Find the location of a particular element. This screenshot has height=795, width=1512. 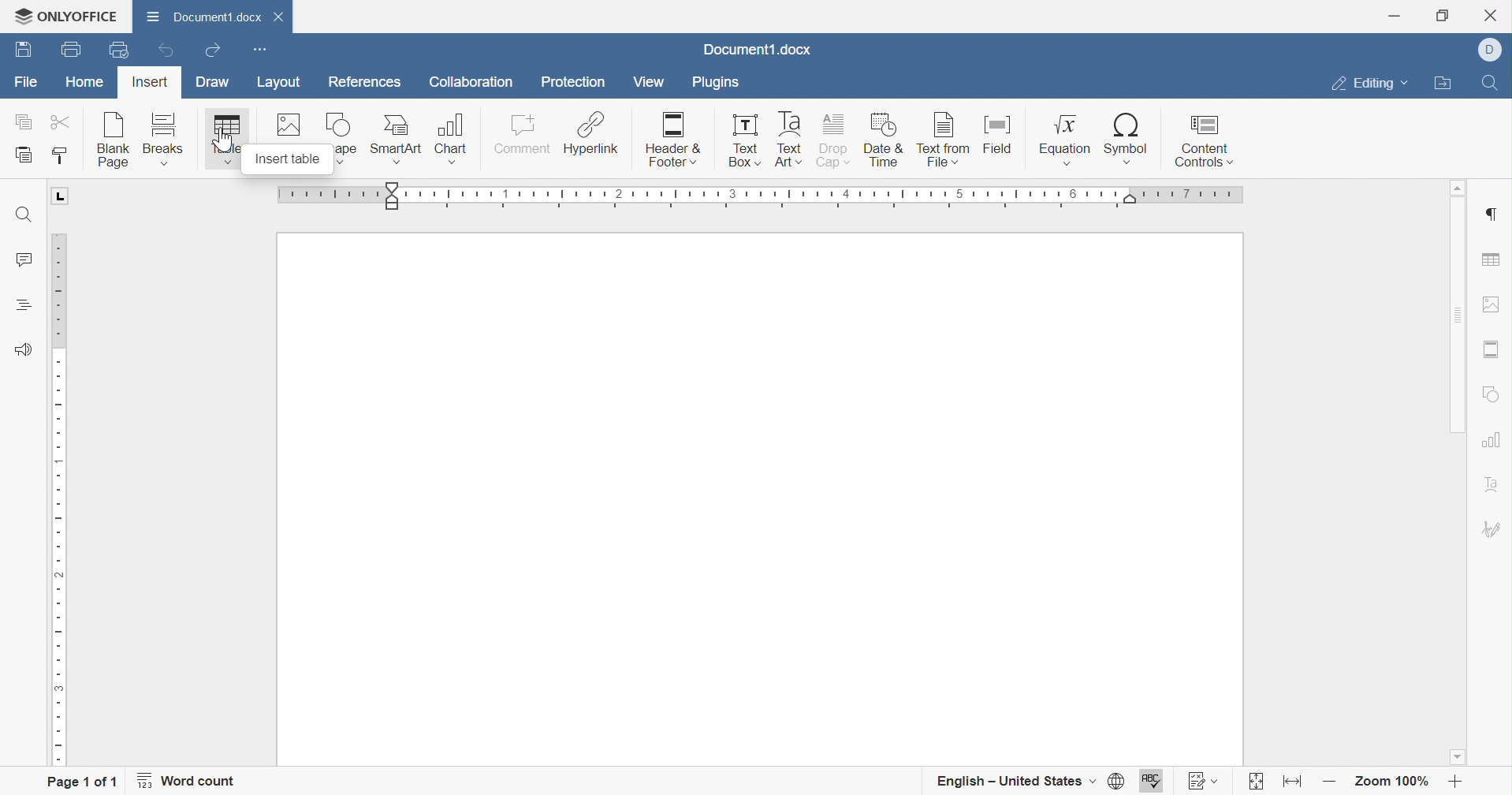

Minimize is located at coordinates (1400, 15).